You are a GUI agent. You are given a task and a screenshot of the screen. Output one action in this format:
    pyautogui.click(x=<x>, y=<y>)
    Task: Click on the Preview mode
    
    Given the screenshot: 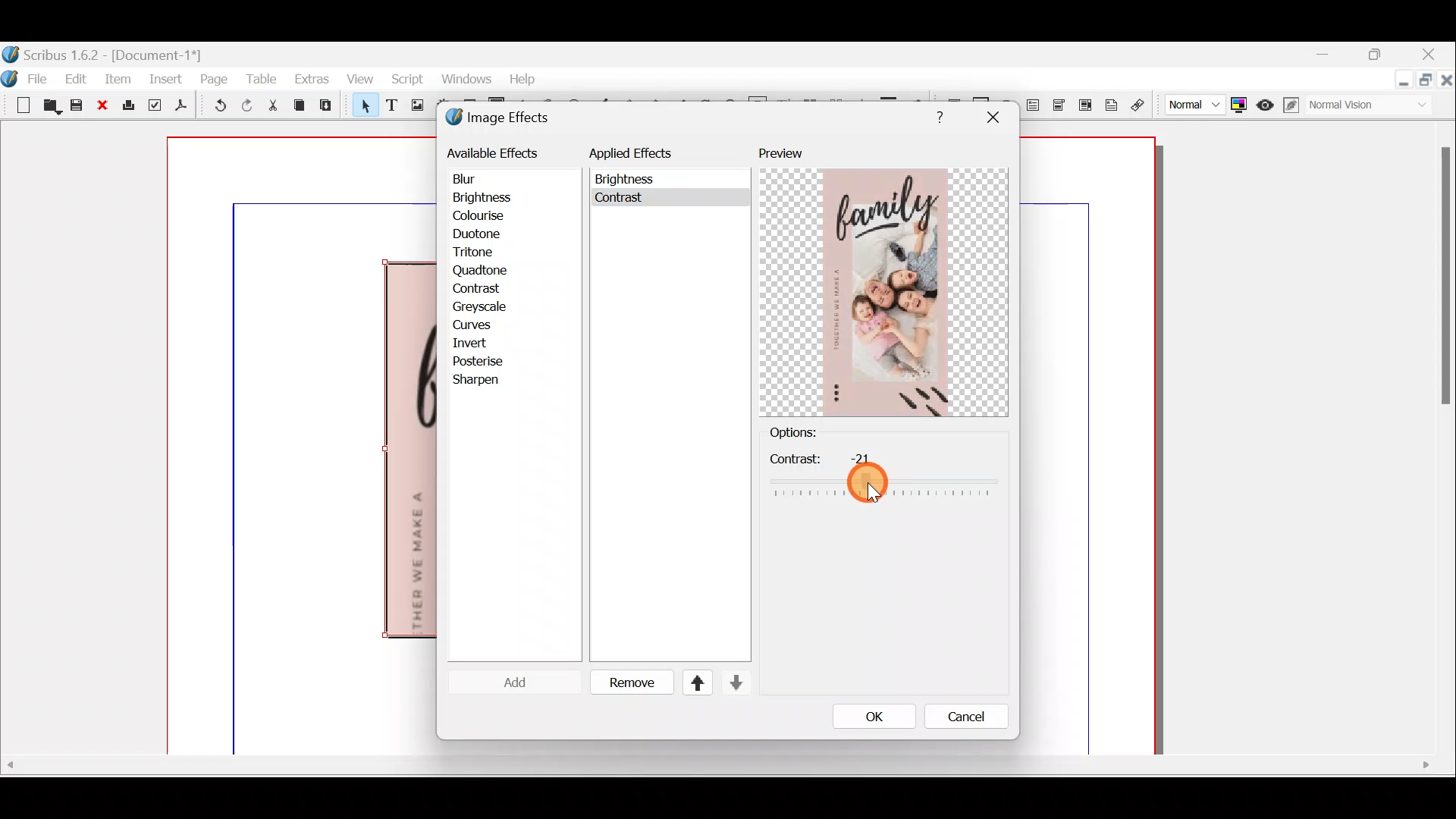 What is the action you would take?
    pyautogui.click(x=1266, y=102)
    